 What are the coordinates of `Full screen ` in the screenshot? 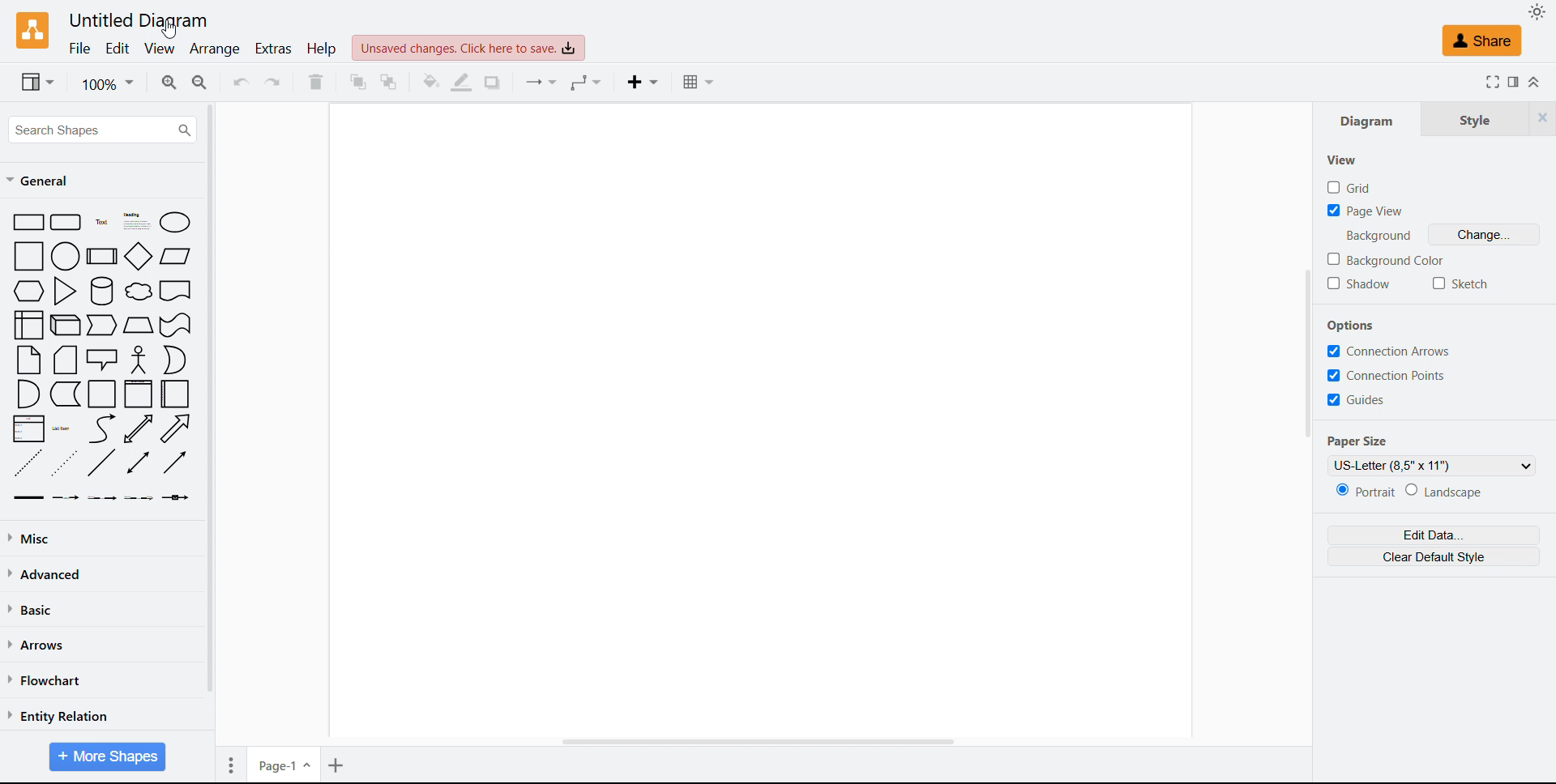 It's located at (1493, 82).